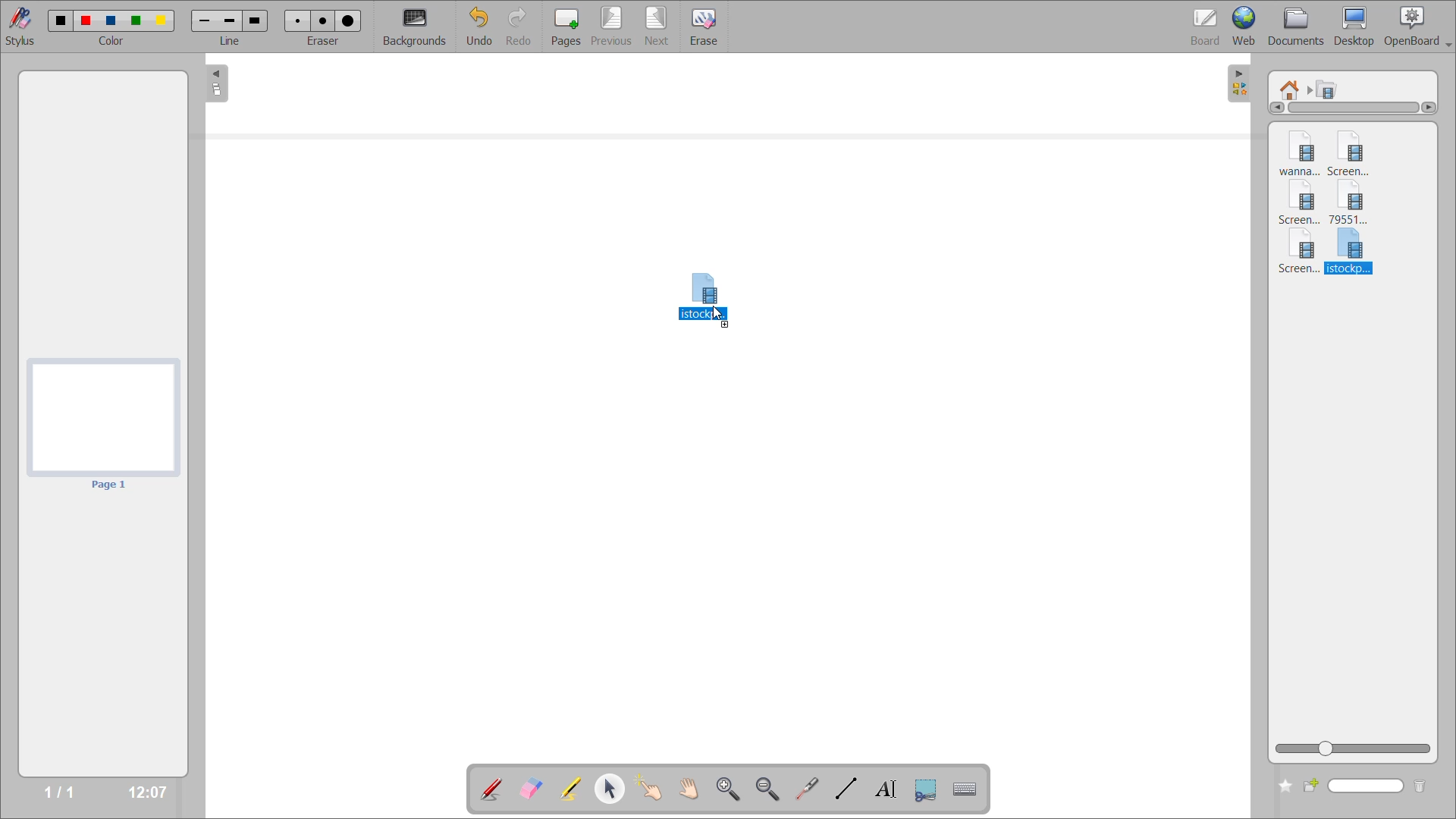  What do you see at coordinates (163, 20) in the screenshot?
I see `color 5` at bounding box center [163, 20].